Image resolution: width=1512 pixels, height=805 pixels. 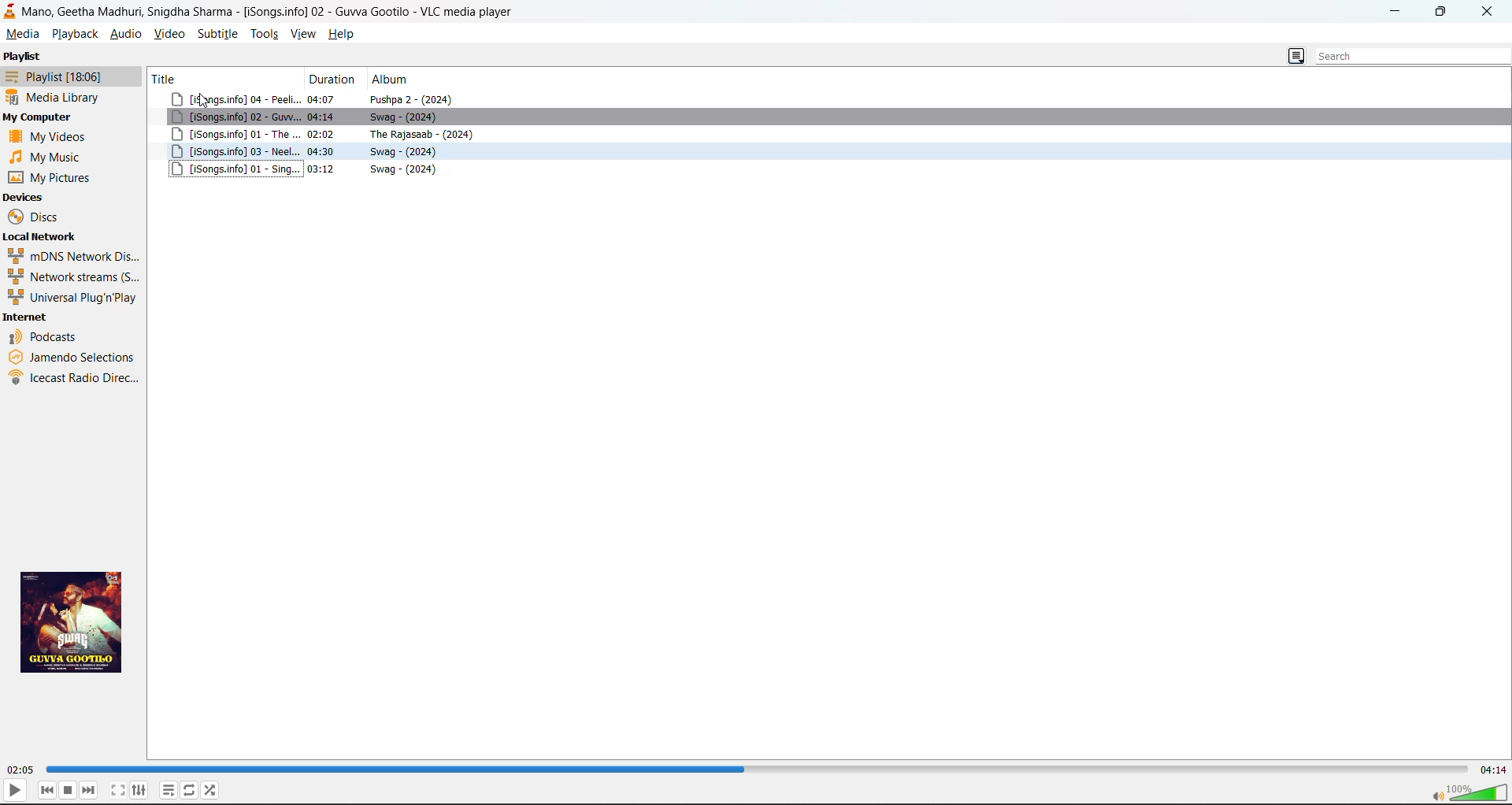 I want to click on random, so click(x=211, y=789).